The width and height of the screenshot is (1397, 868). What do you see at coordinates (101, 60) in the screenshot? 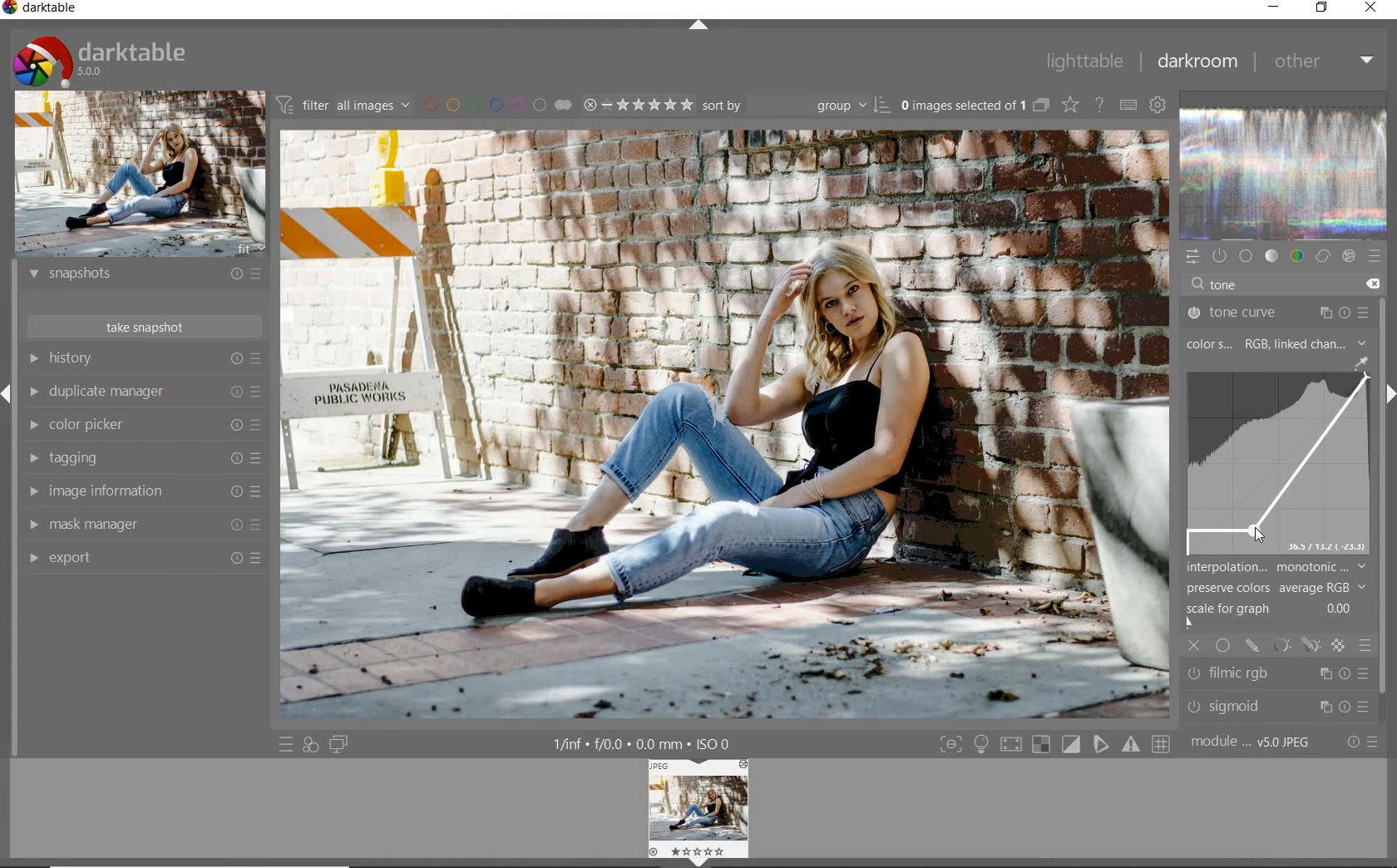
I see `system logo` at bounding box center [101, 60].